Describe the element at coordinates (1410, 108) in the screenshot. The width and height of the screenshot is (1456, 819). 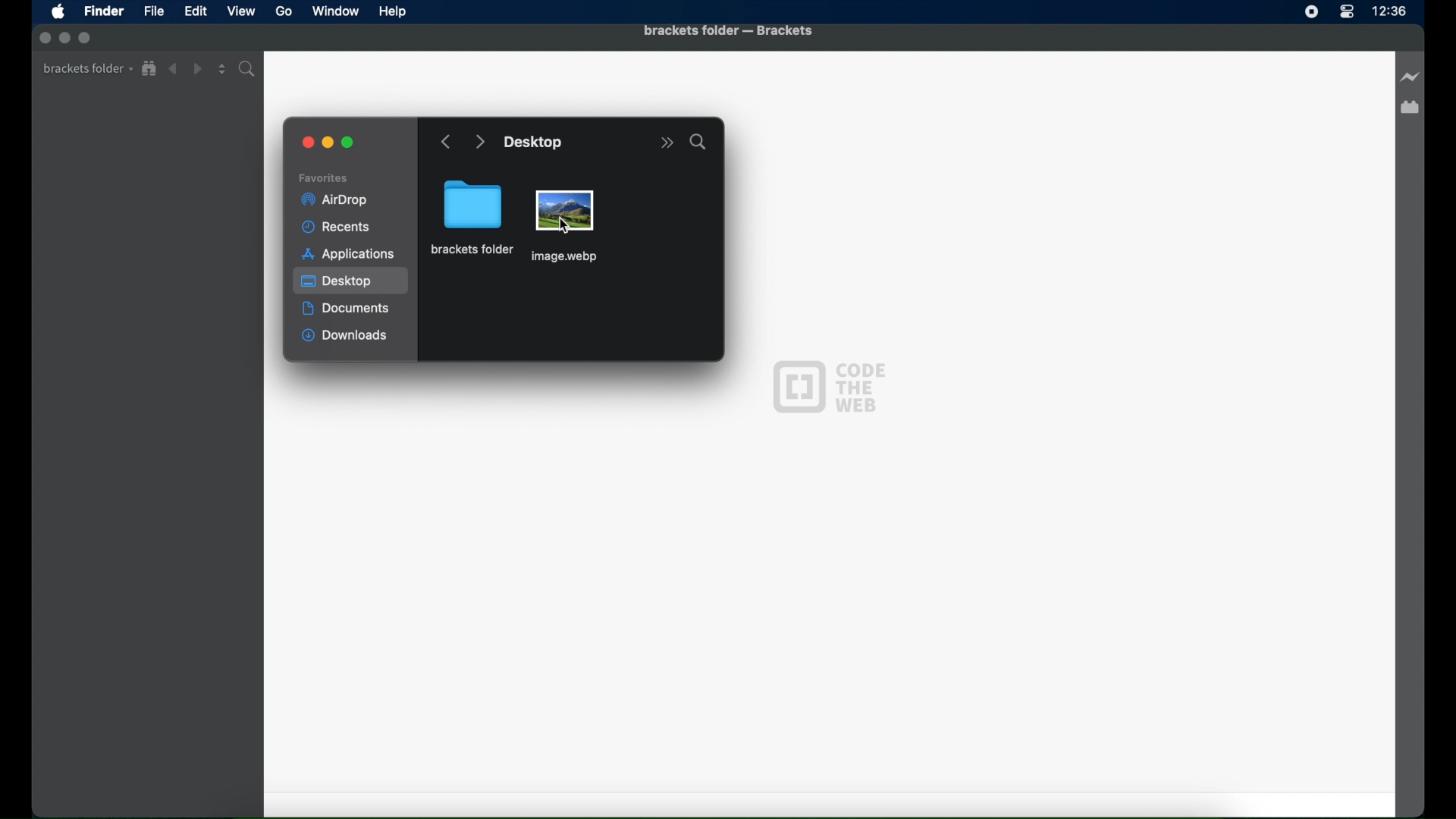
I see `extension manager` at that location.